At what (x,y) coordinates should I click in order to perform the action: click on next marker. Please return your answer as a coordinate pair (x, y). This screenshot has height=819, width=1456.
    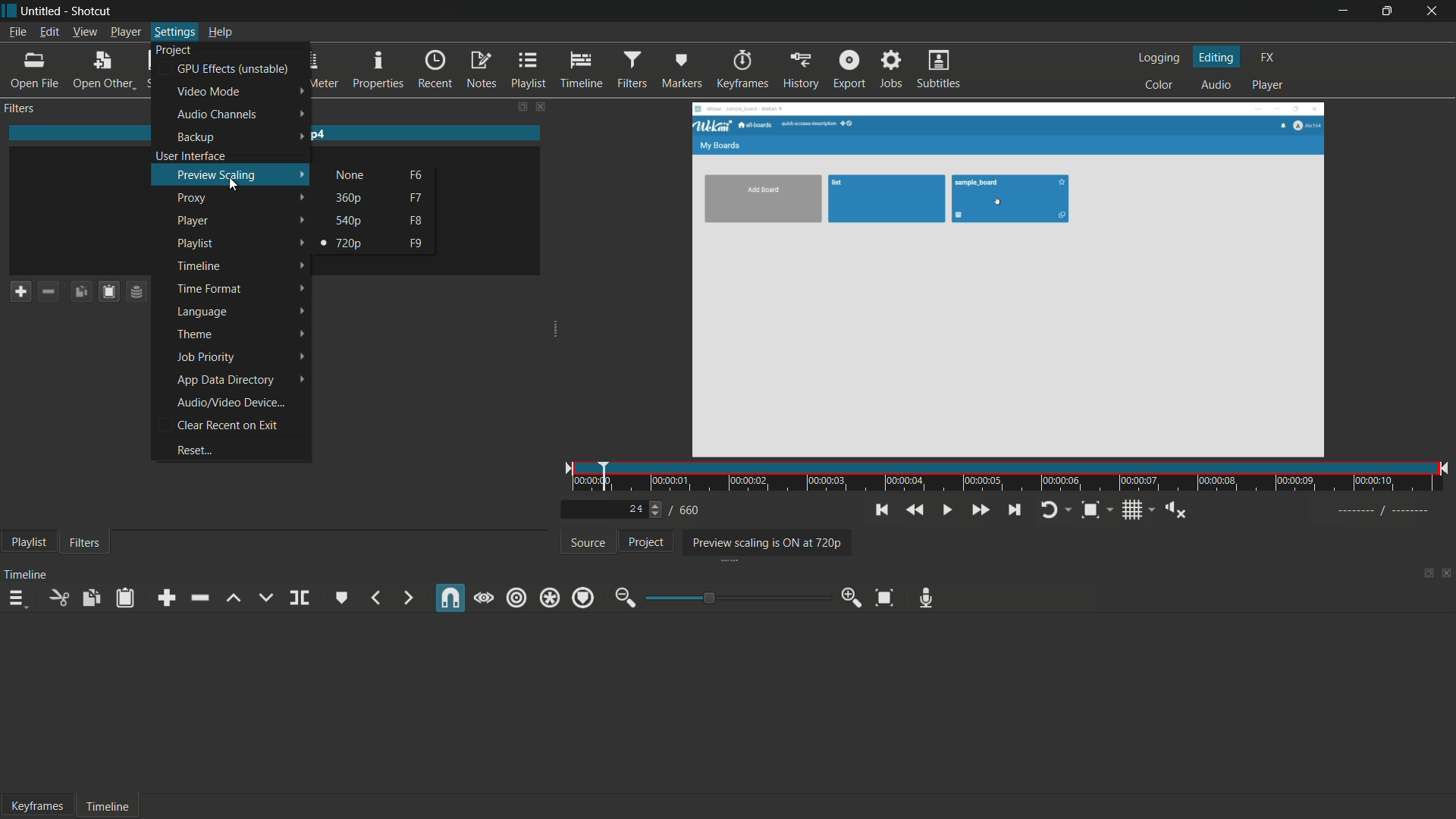
    Looking at the image, I should click on (407, 597).